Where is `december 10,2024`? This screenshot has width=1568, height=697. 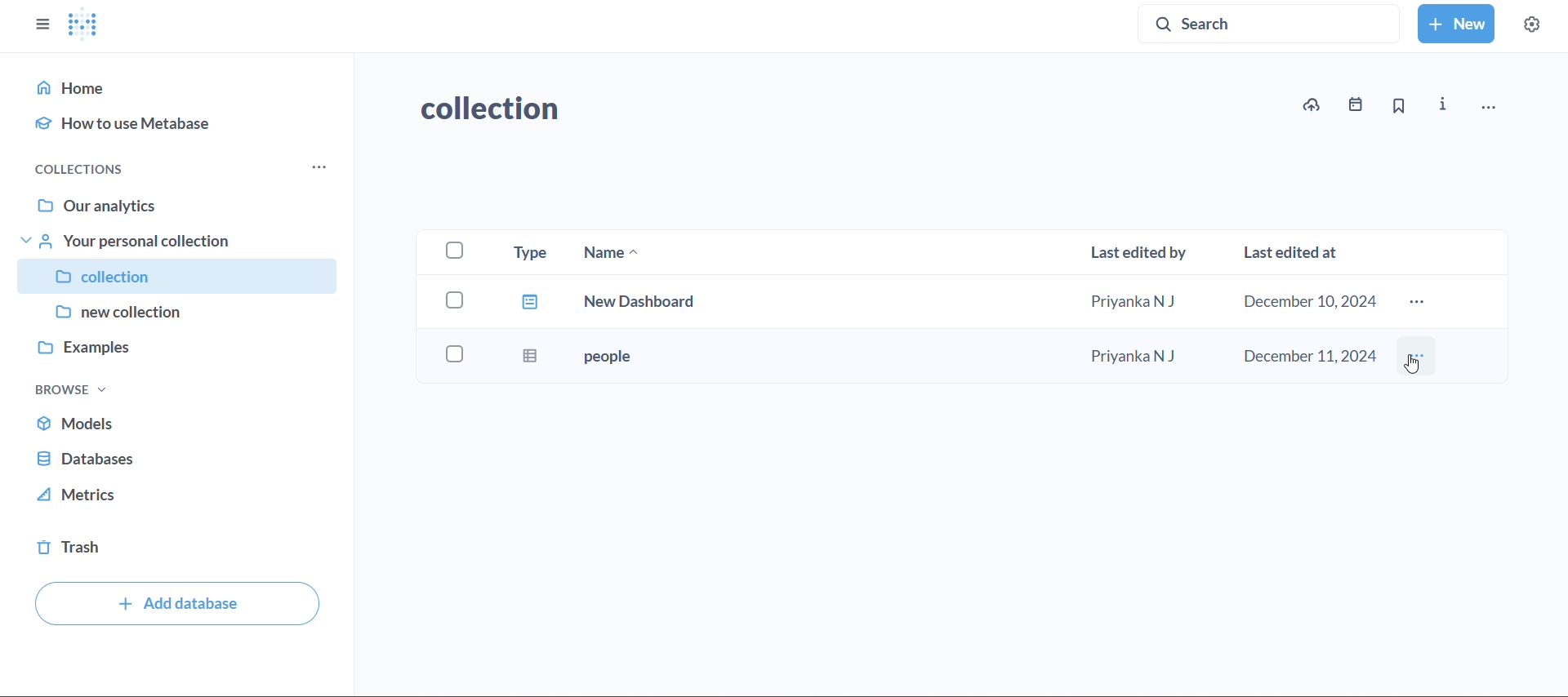 december 10,2024 is located at coordinates (1306, 303).